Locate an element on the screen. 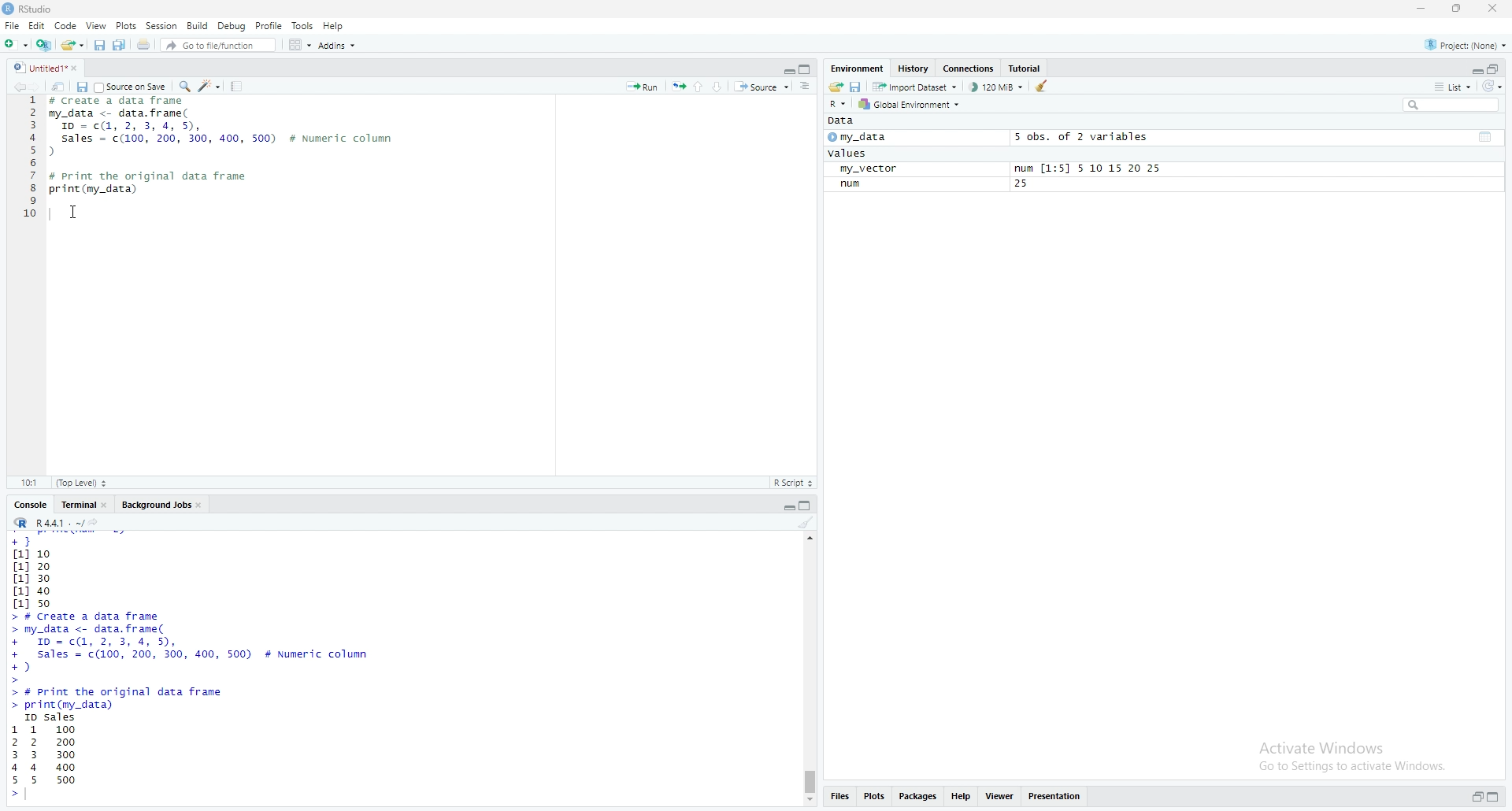 This screenshot has width=1512, height=811. show in new window is located at coordinates (61, 88).